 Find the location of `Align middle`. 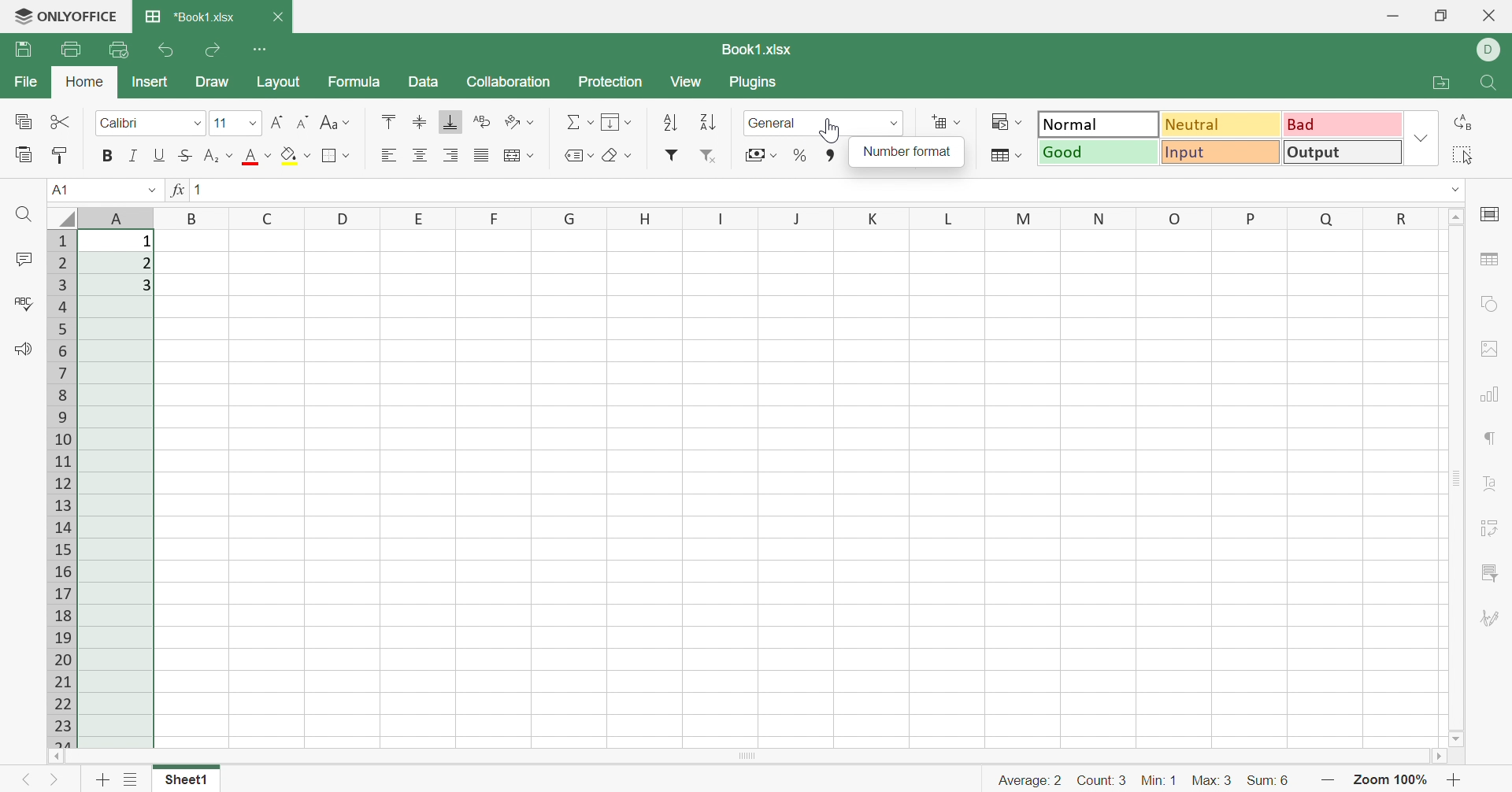

Align middle is located at coordinates (421, 124).